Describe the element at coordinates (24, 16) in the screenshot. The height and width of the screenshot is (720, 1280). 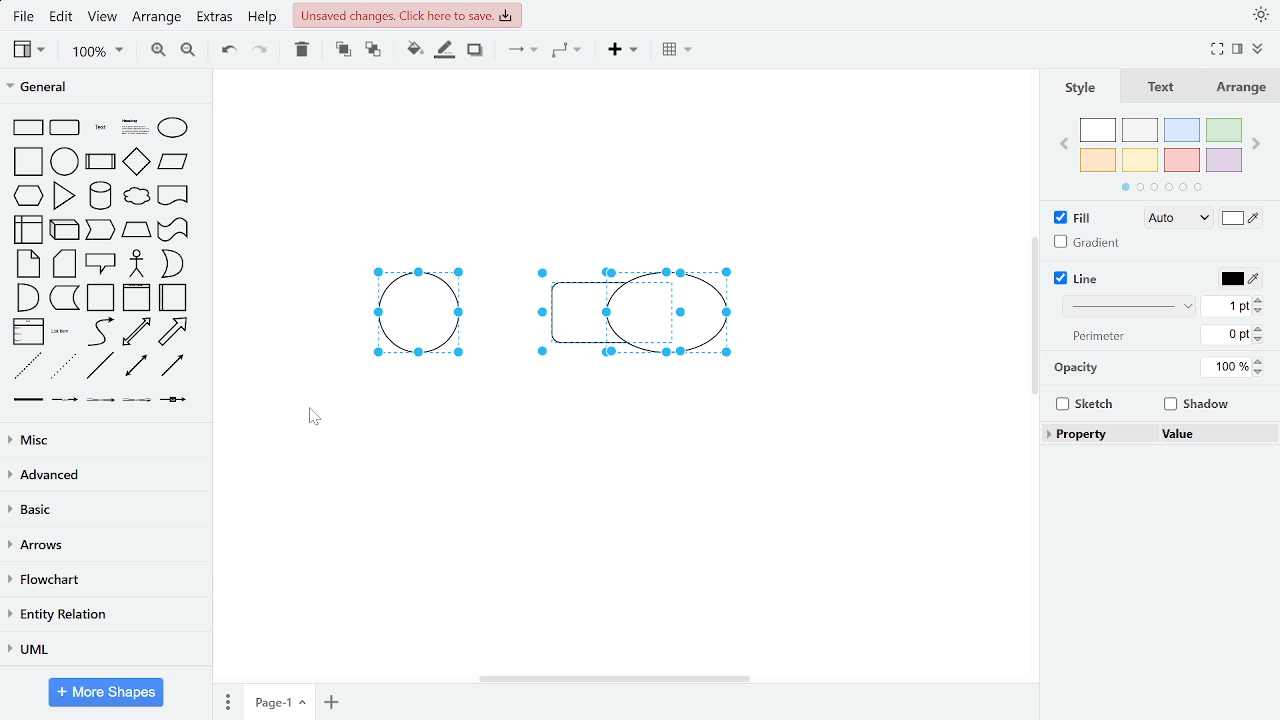
I see `file` at that location.